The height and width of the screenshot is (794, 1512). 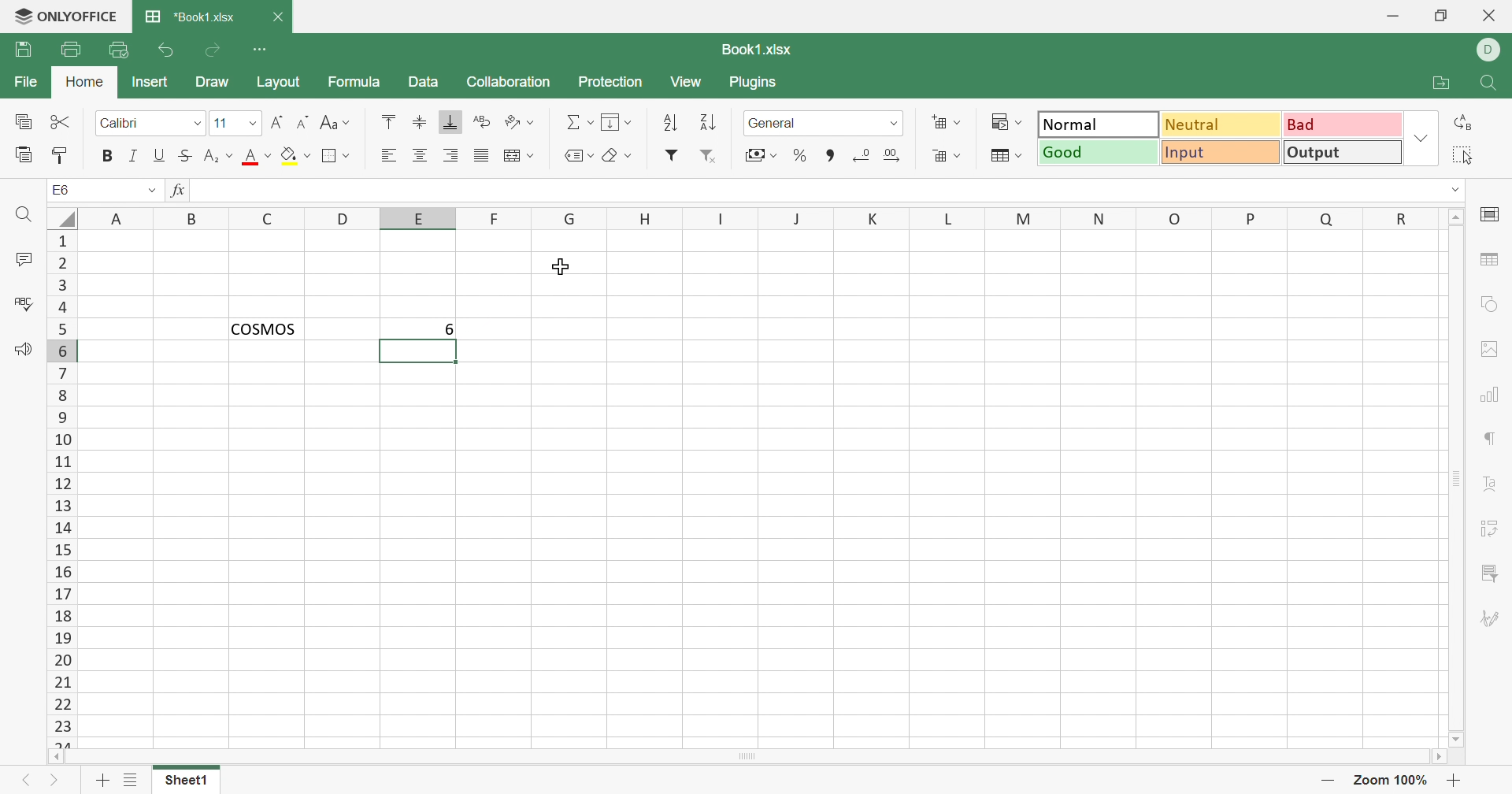 I want to click on Drop down, so click(x=1453, y=190).